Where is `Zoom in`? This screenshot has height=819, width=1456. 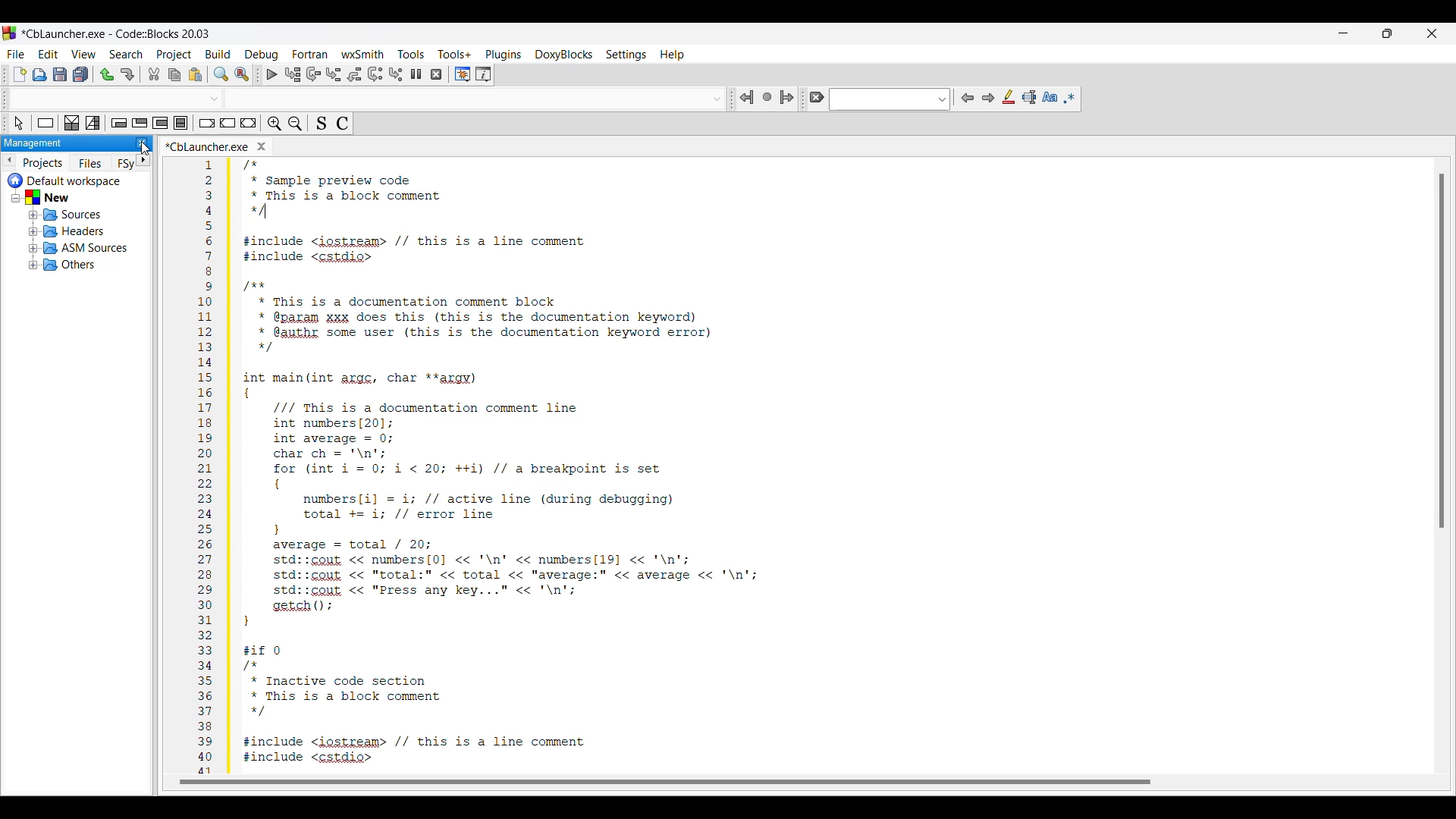
Zoom in is located at coordinates (275, 124).